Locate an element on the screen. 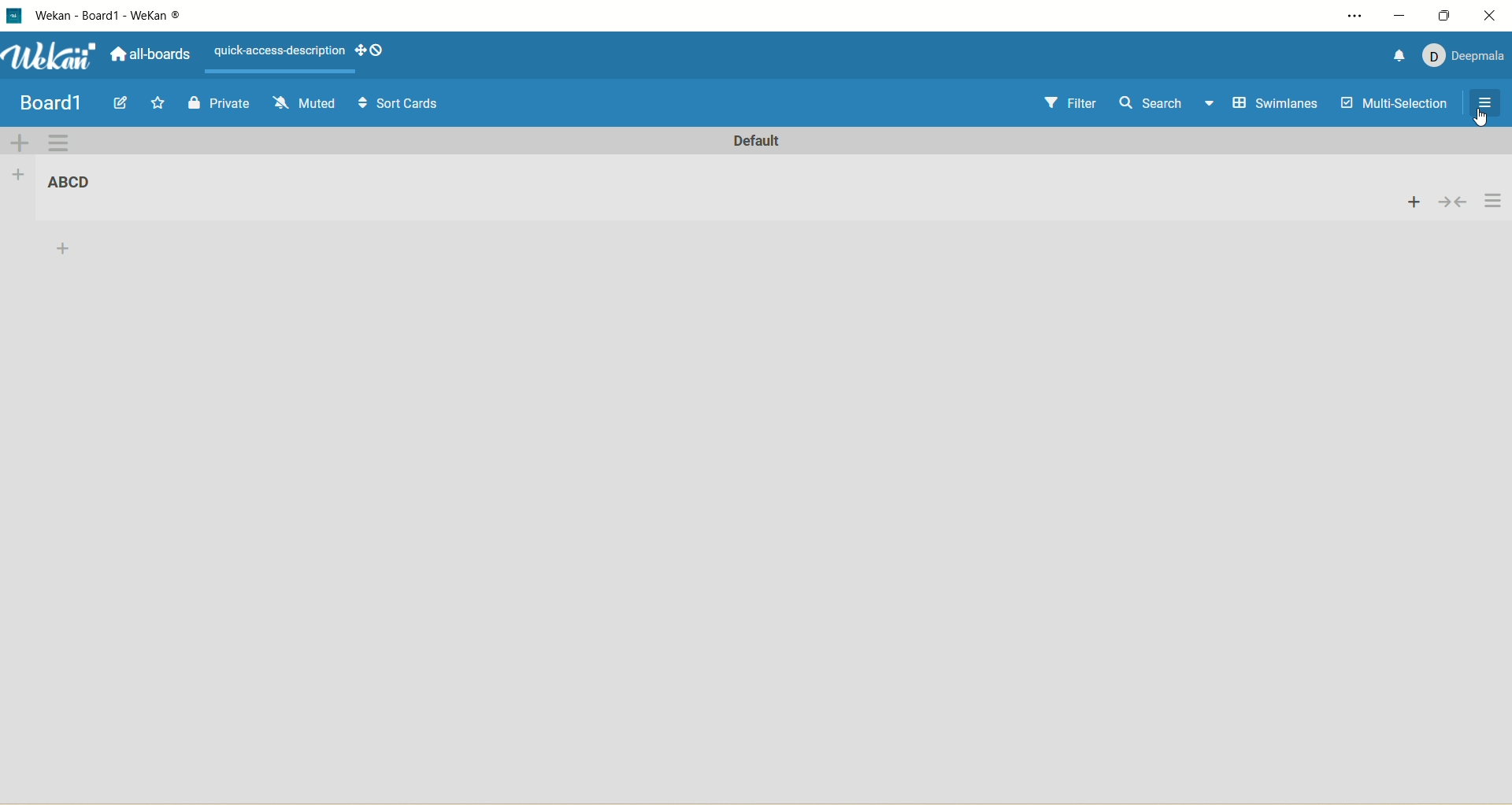 The image size is (1512, 805). Private is located at coordinates (220, 102).